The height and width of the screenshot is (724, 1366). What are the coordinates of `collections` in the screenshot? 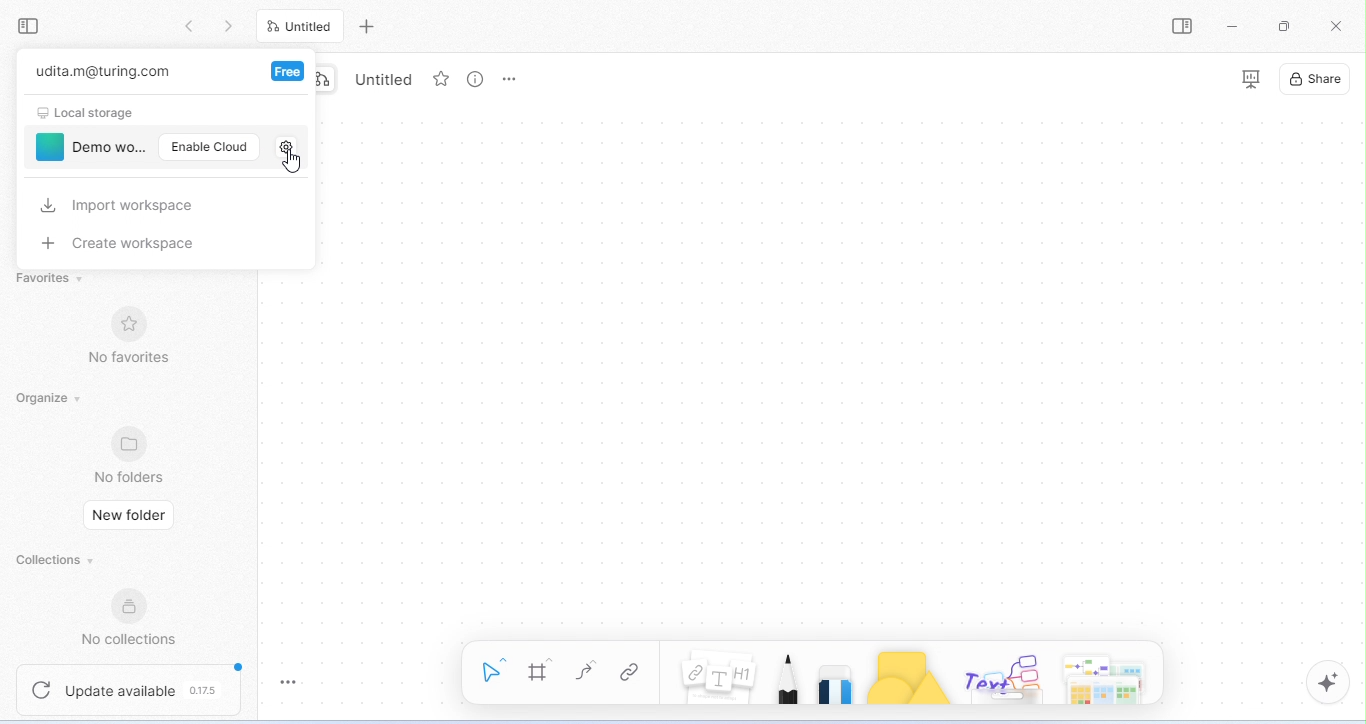 It's located at (53, 562).